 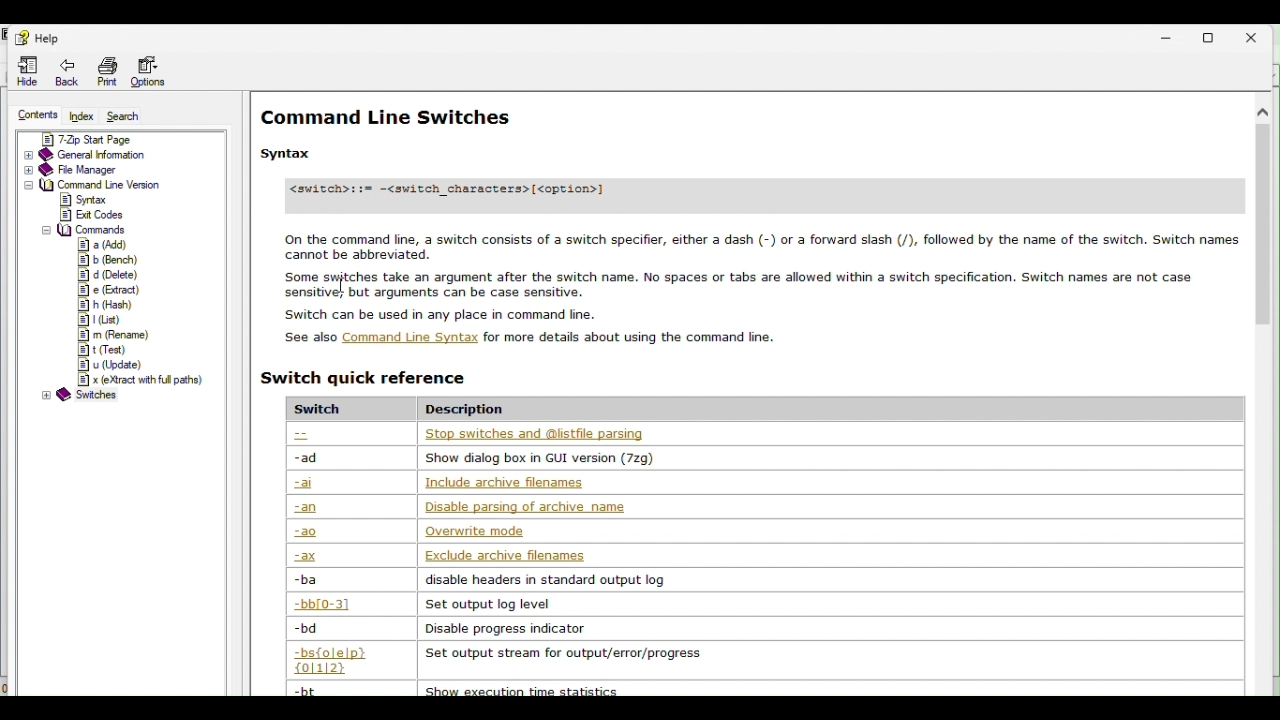 I want to click on Switch quick reference, so click(x=365, y=378).